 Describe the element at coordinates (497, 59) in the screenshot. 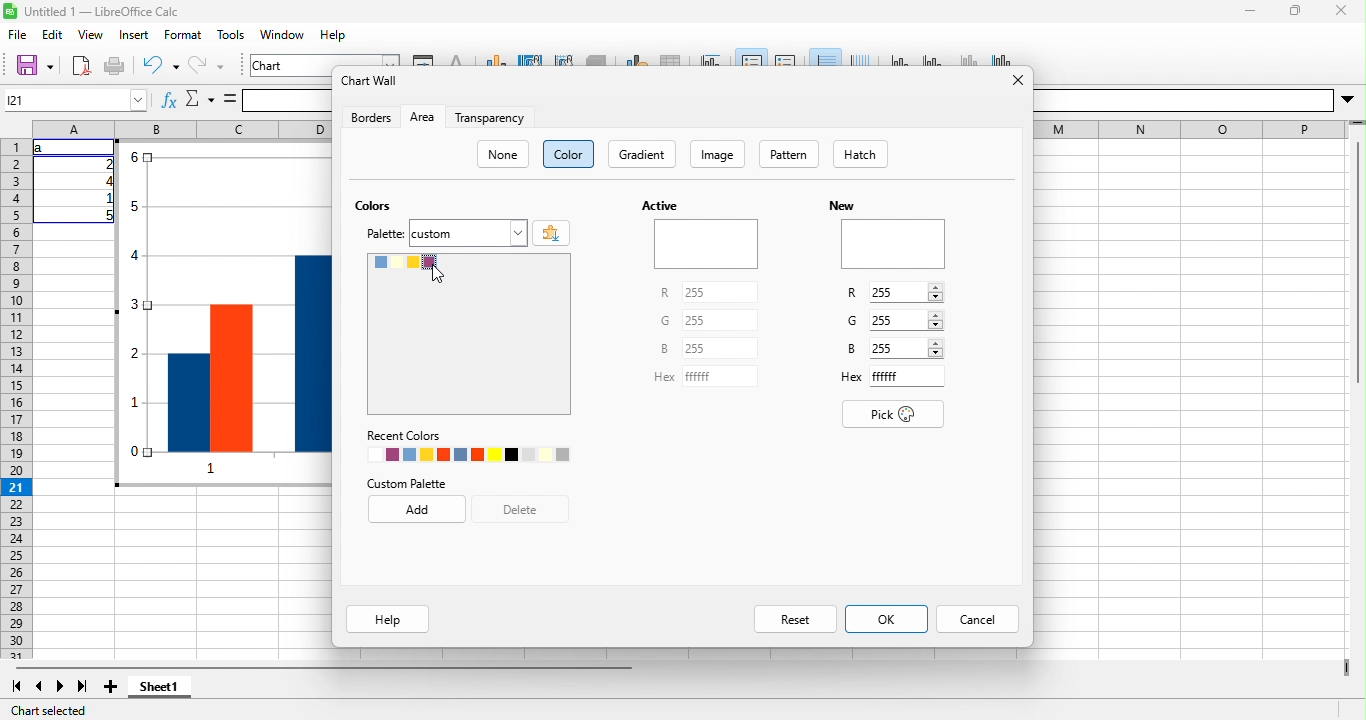

I see `chart type` at that location.